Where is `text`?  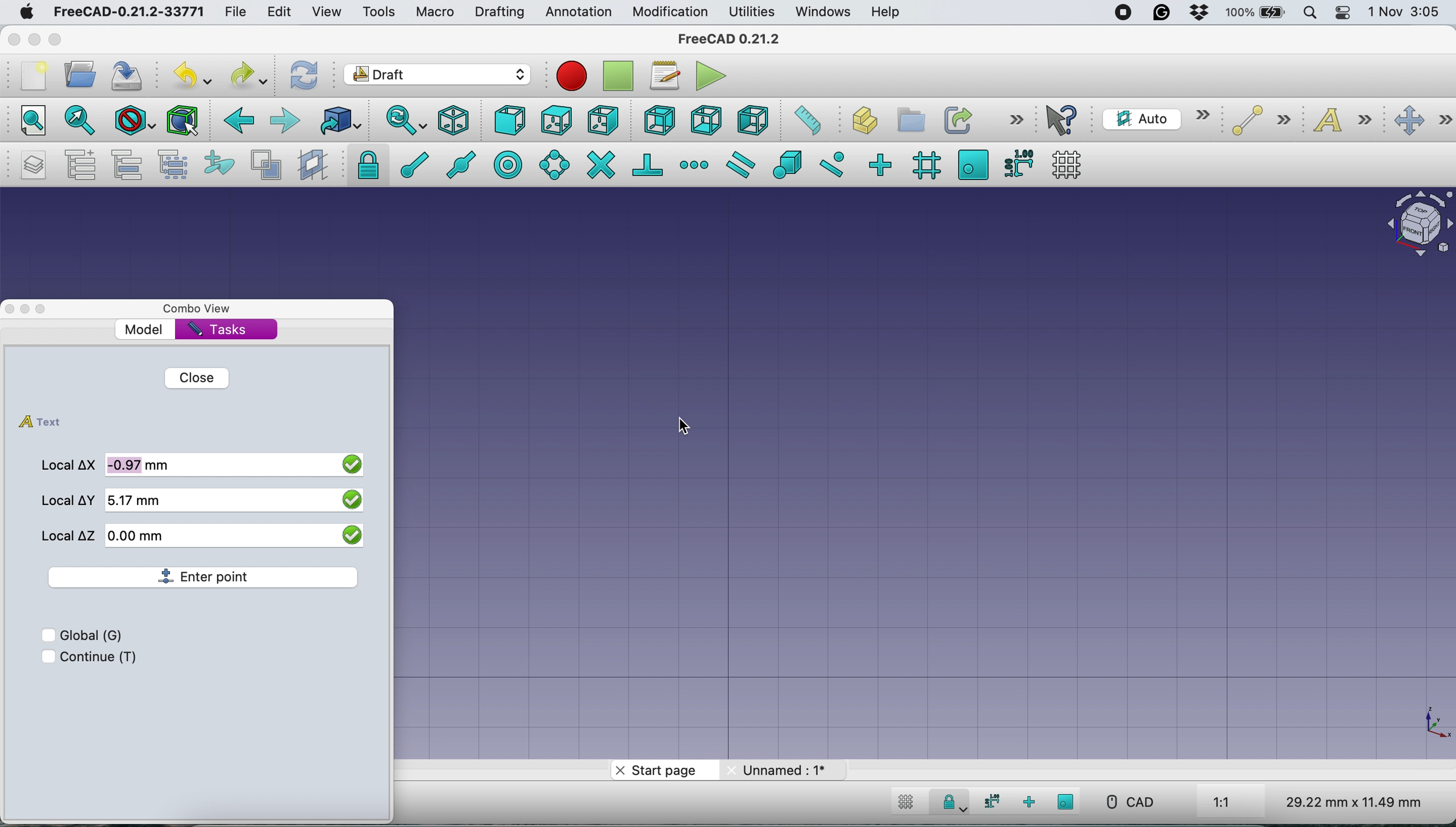
text is located at coordinates (1339, 120).